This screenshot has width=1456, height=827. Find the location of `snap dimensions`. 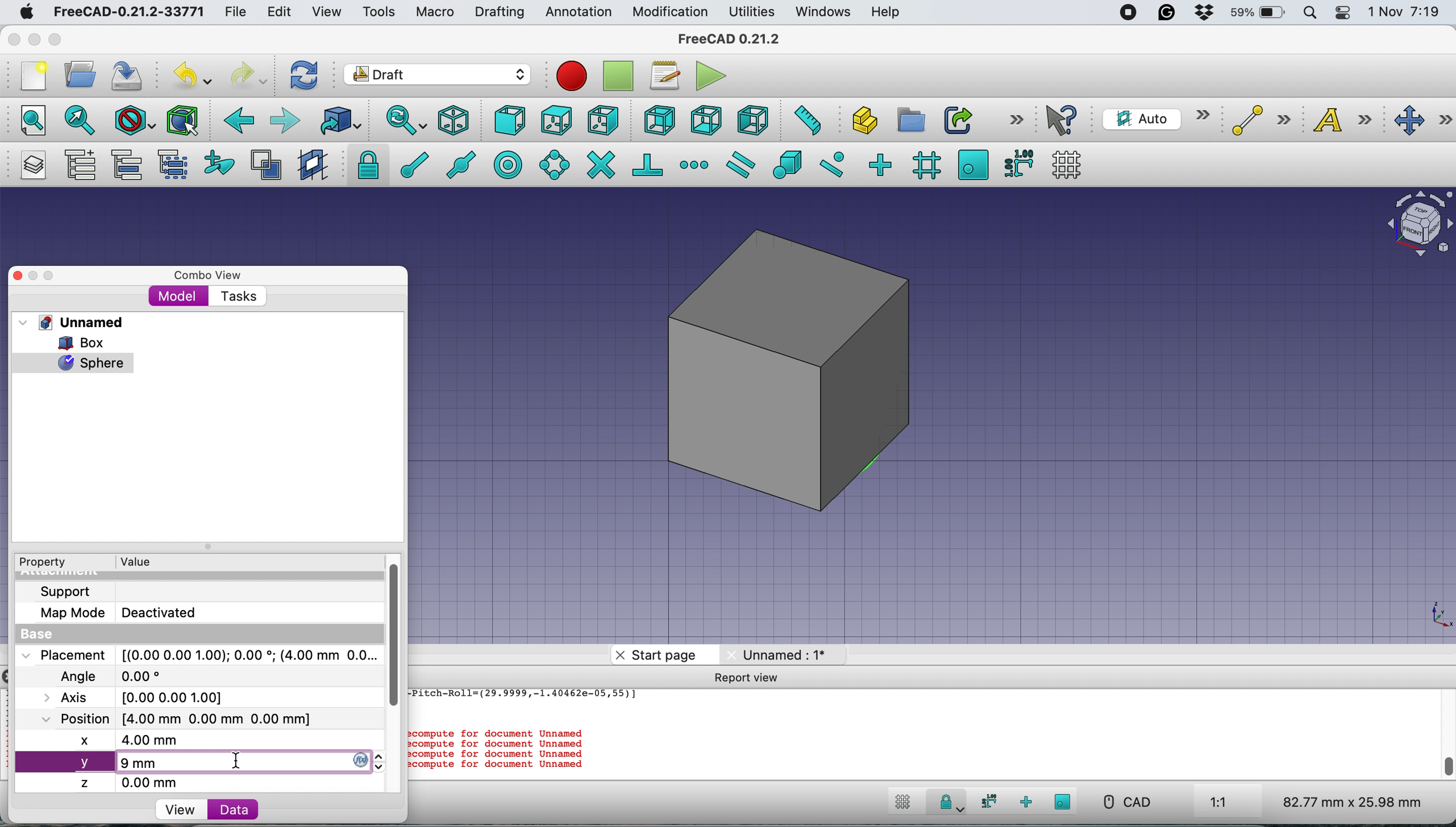

snap dimensions is located at coordinates (986, 801).